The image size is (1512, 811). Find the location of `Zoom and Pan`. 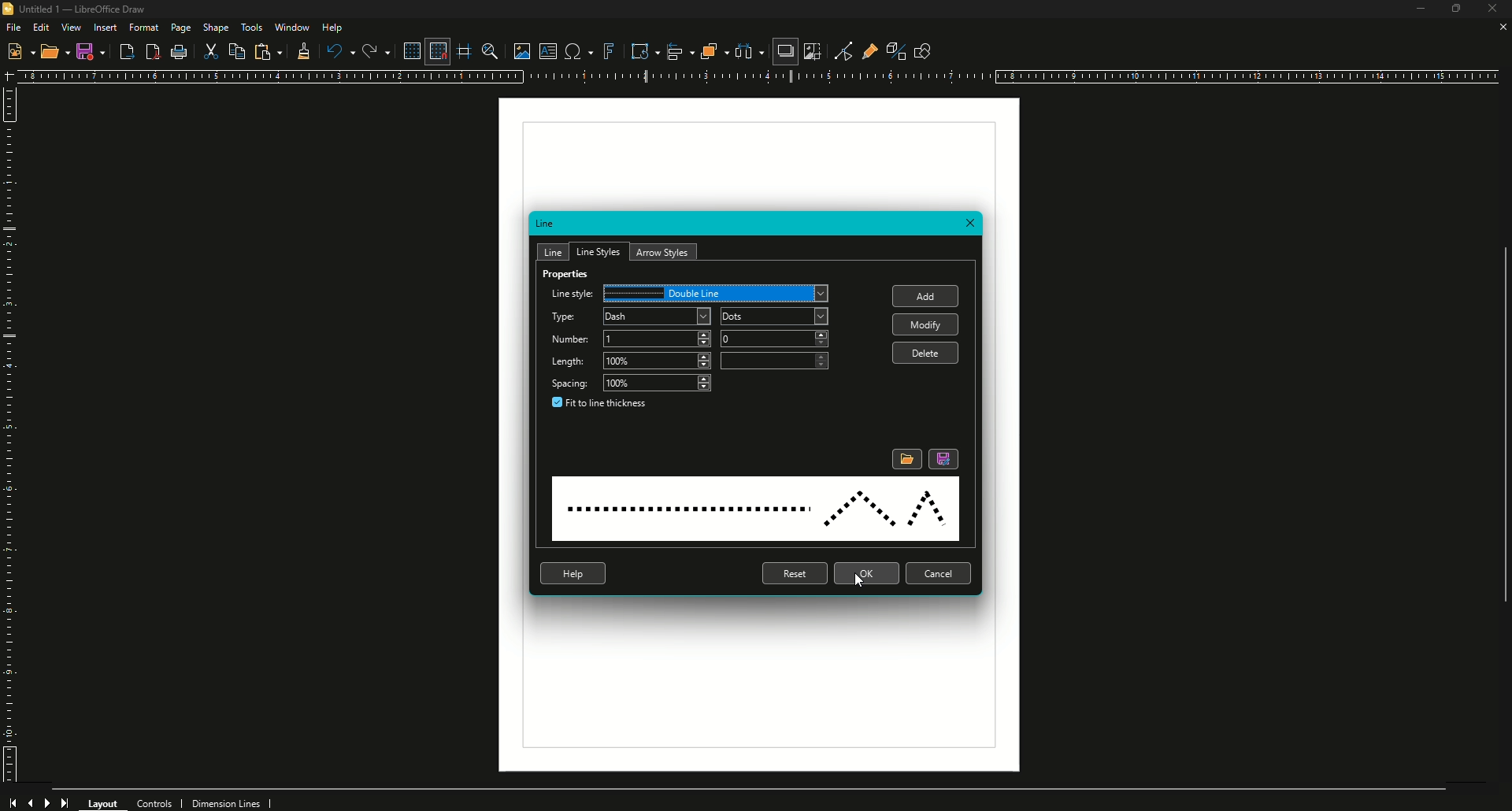

Zoom and Pan is located at coordinates (488, 50).